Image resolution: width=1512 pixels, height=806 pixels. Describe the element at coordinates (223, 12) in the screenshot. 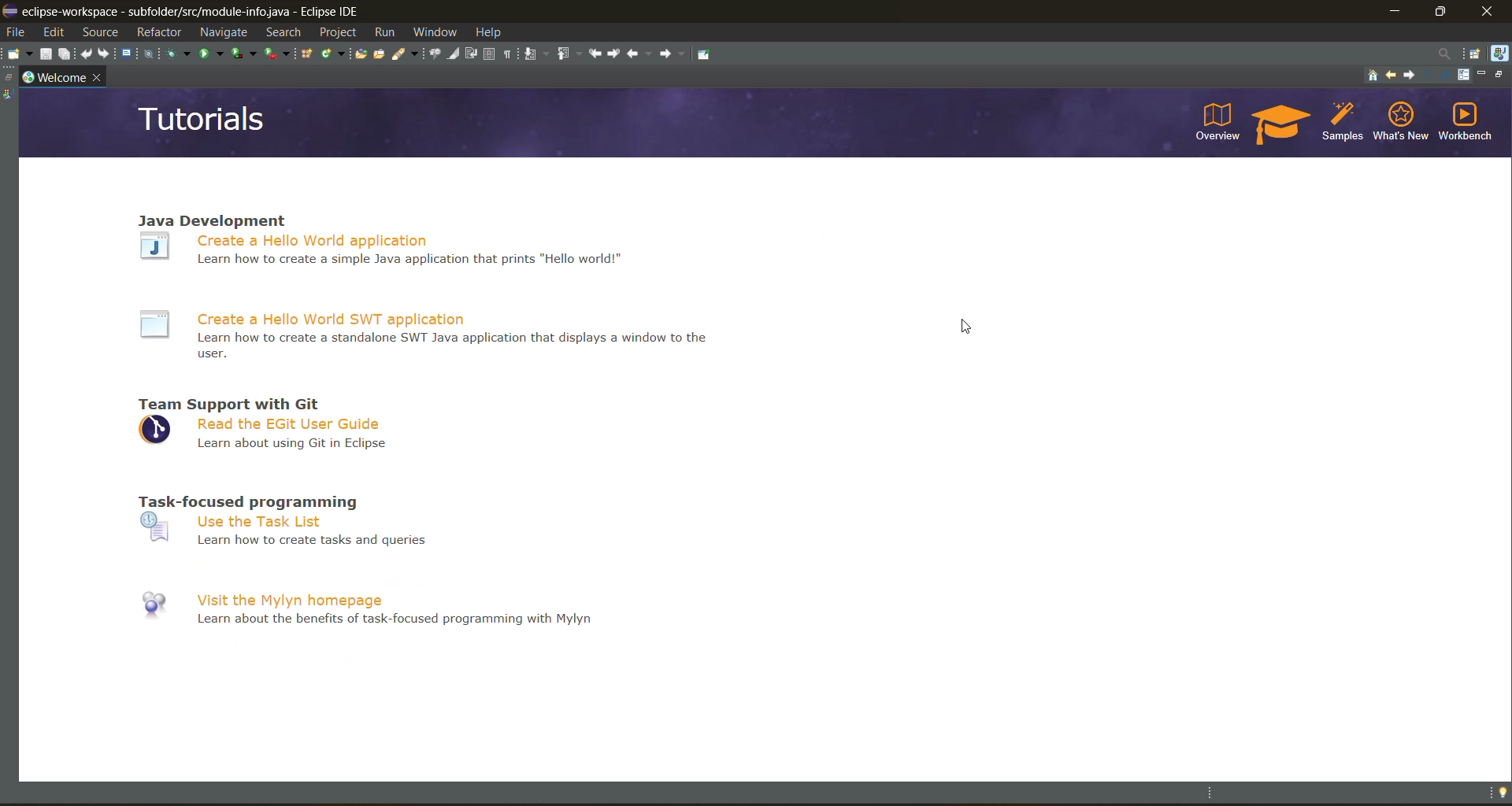

I see `app title and file name` at that location.